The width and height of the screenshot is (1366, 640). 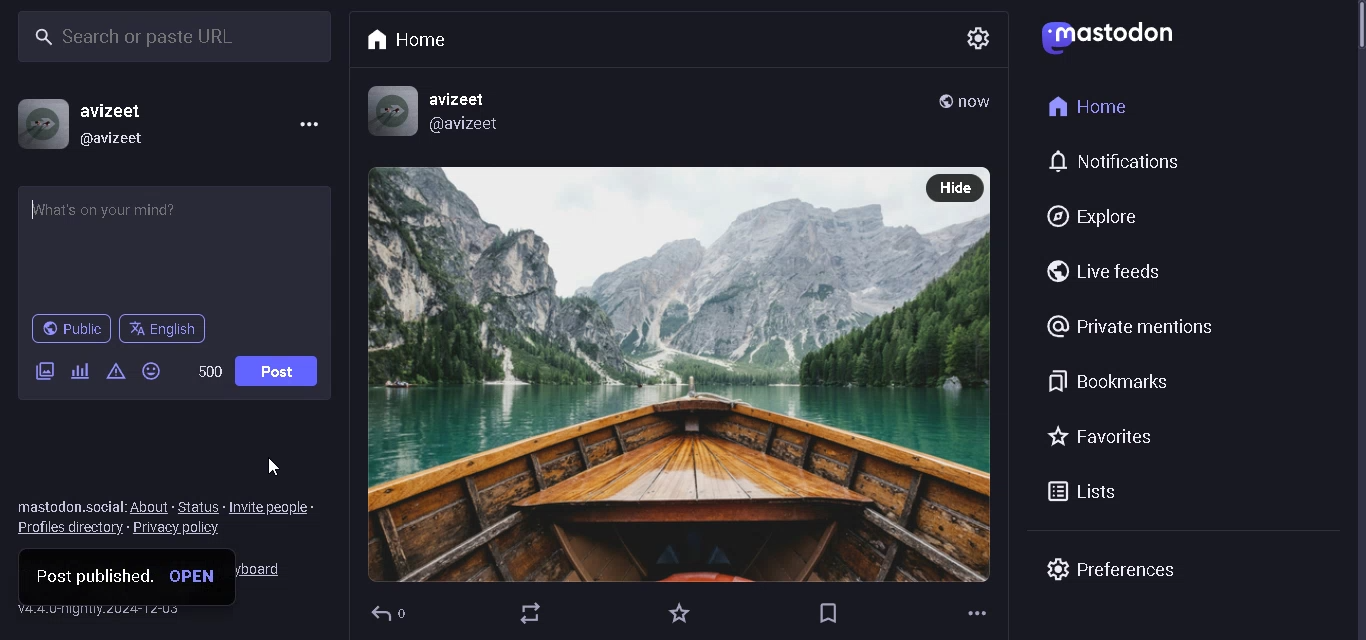 I want to click on whats on your mind, so click(x=176, y=246).